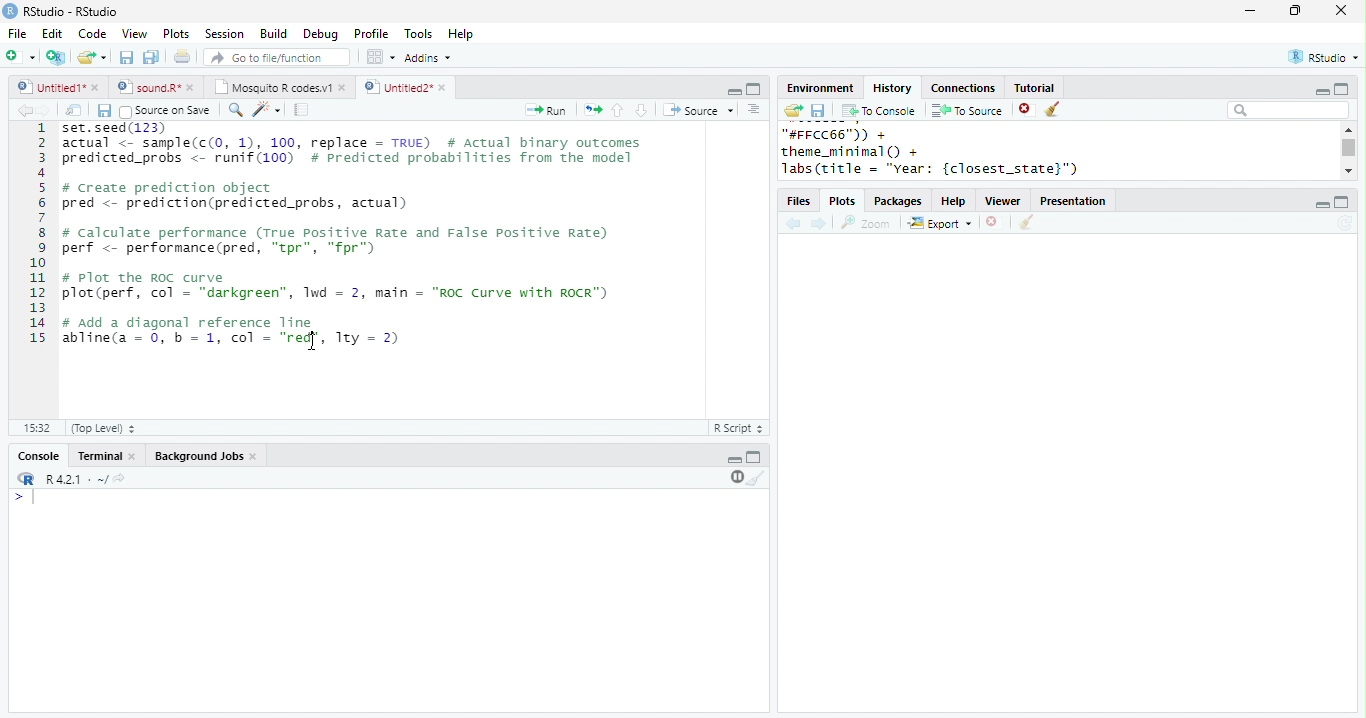  Describe the element at coordinates (52, 34) in the screenshot. I see `Edit` at that location.